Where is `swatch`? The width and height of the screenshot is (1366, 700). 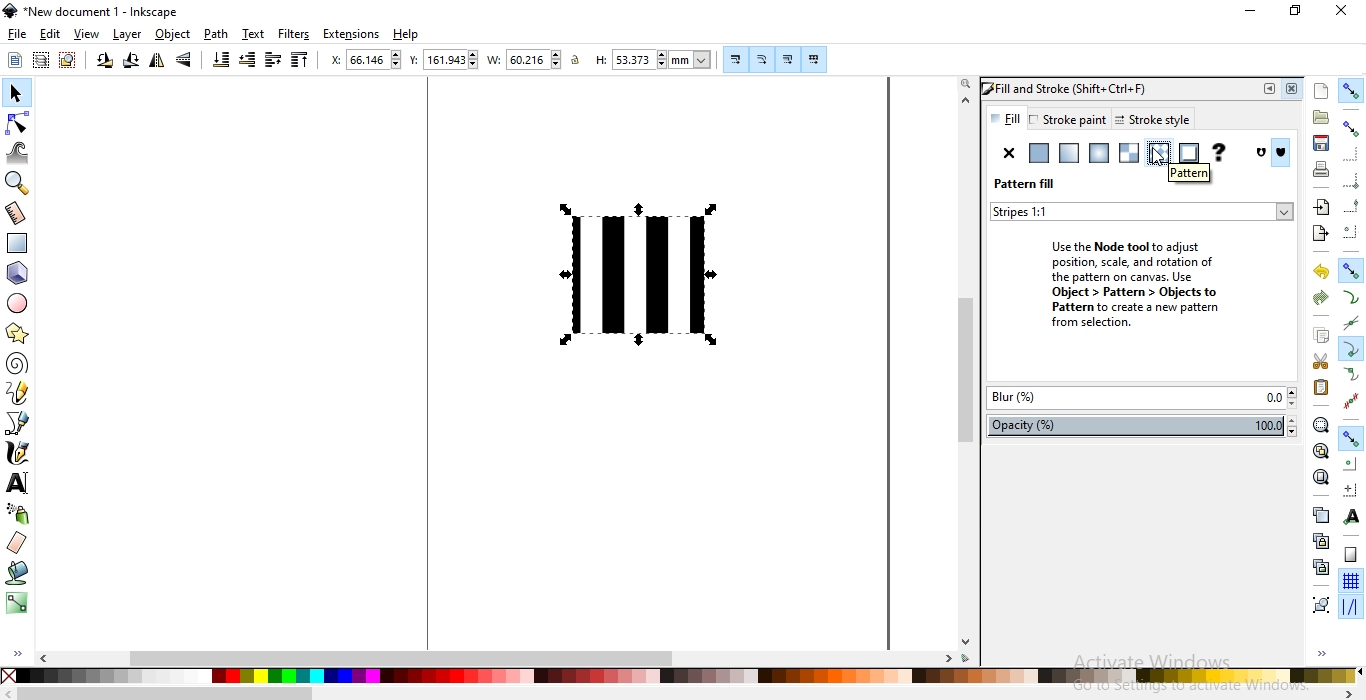 swatch is located at coordinates (1188, 153).